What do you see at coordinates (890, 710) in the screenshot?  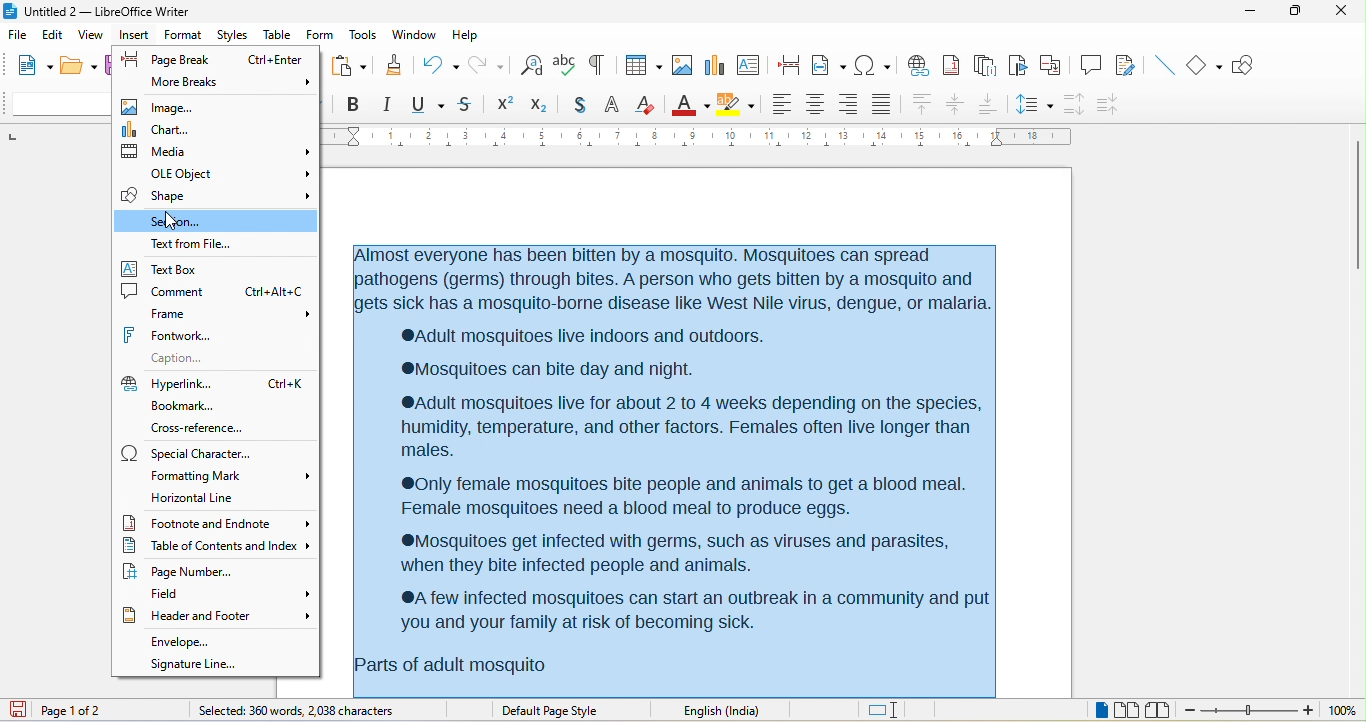 I see `standard selection` at bounding box center [890, 710].